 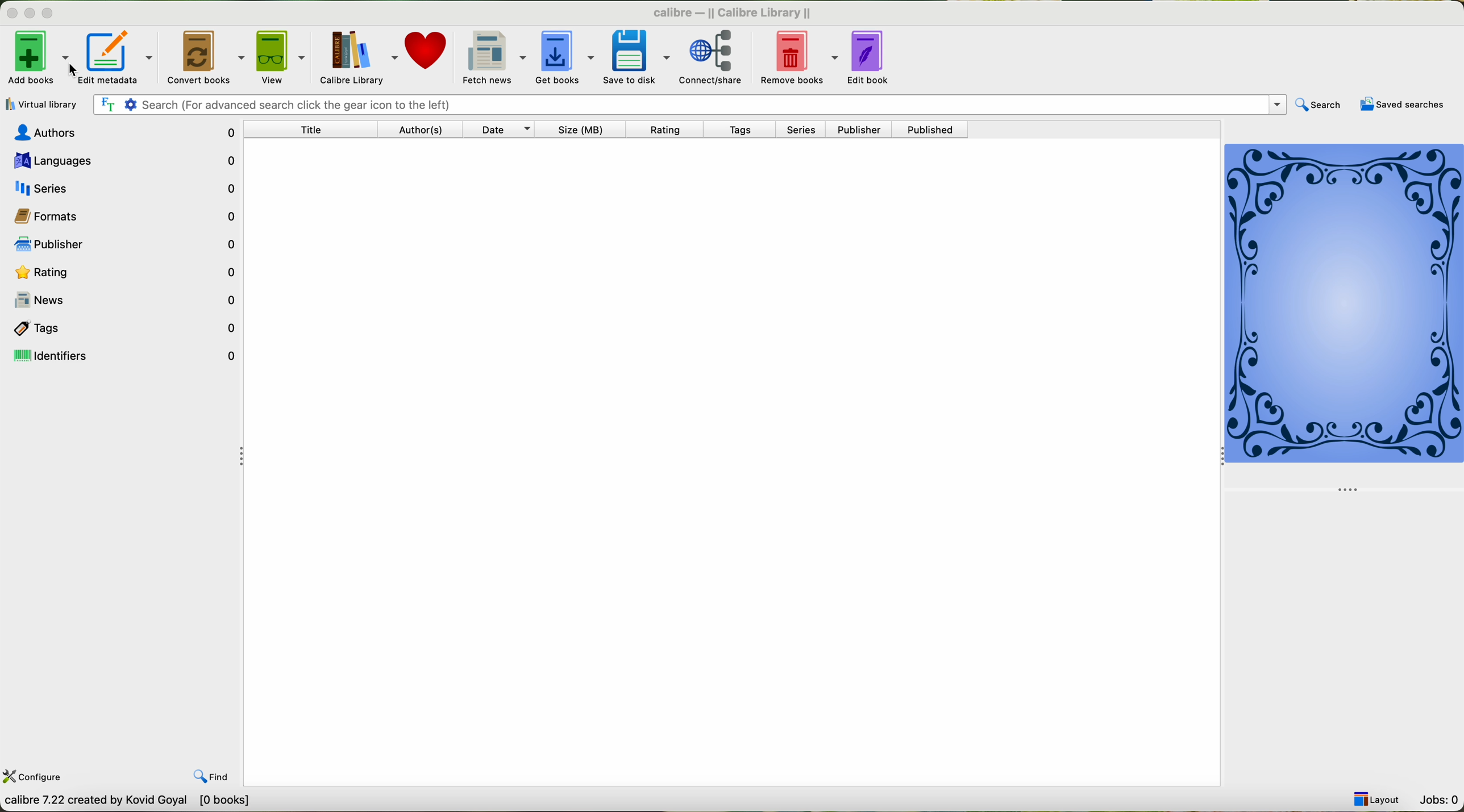 I want to click on search, so click(x=1320, y=104).